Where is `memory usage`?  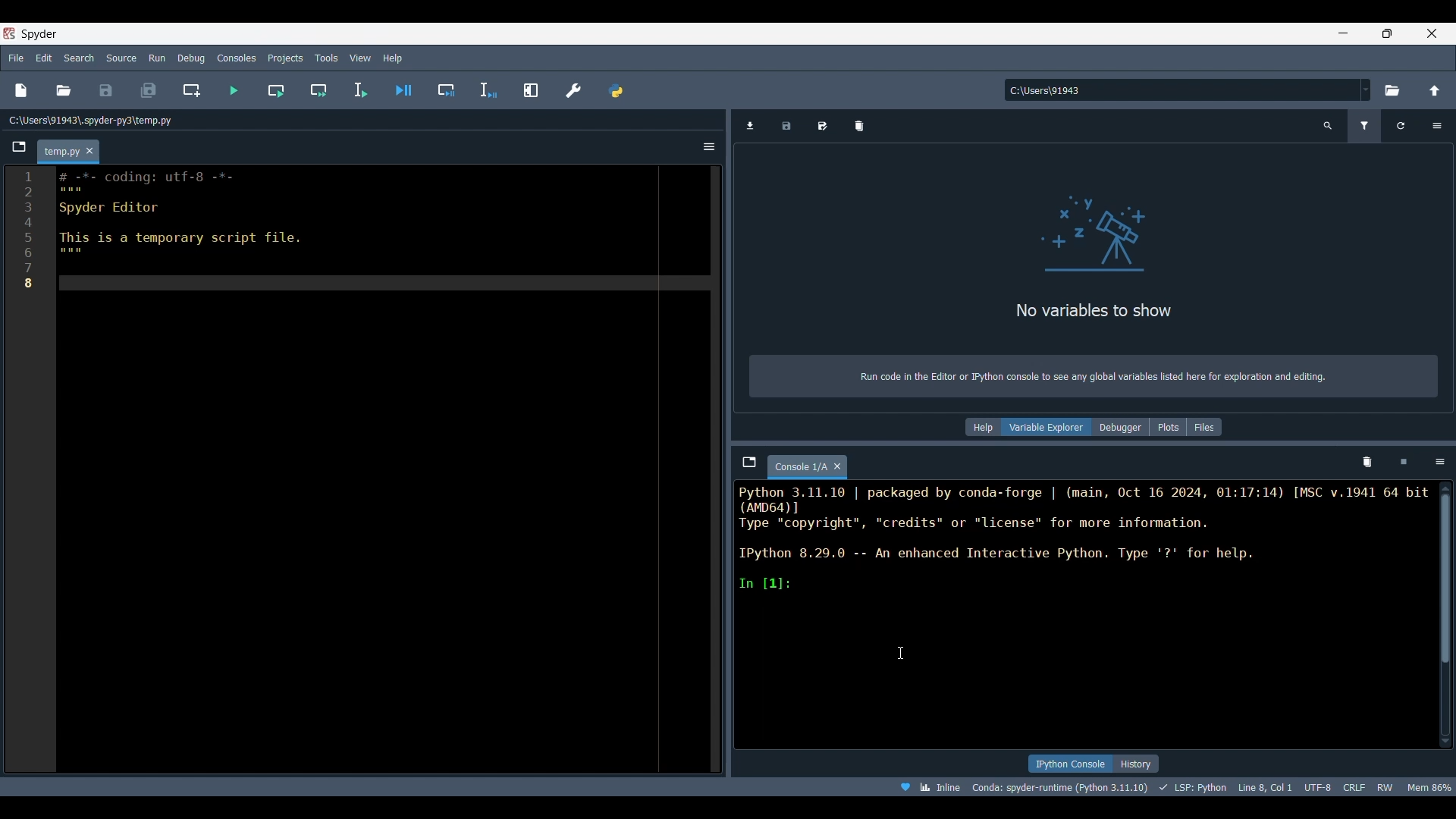 memory usage is located at coordinates (1429, 786).